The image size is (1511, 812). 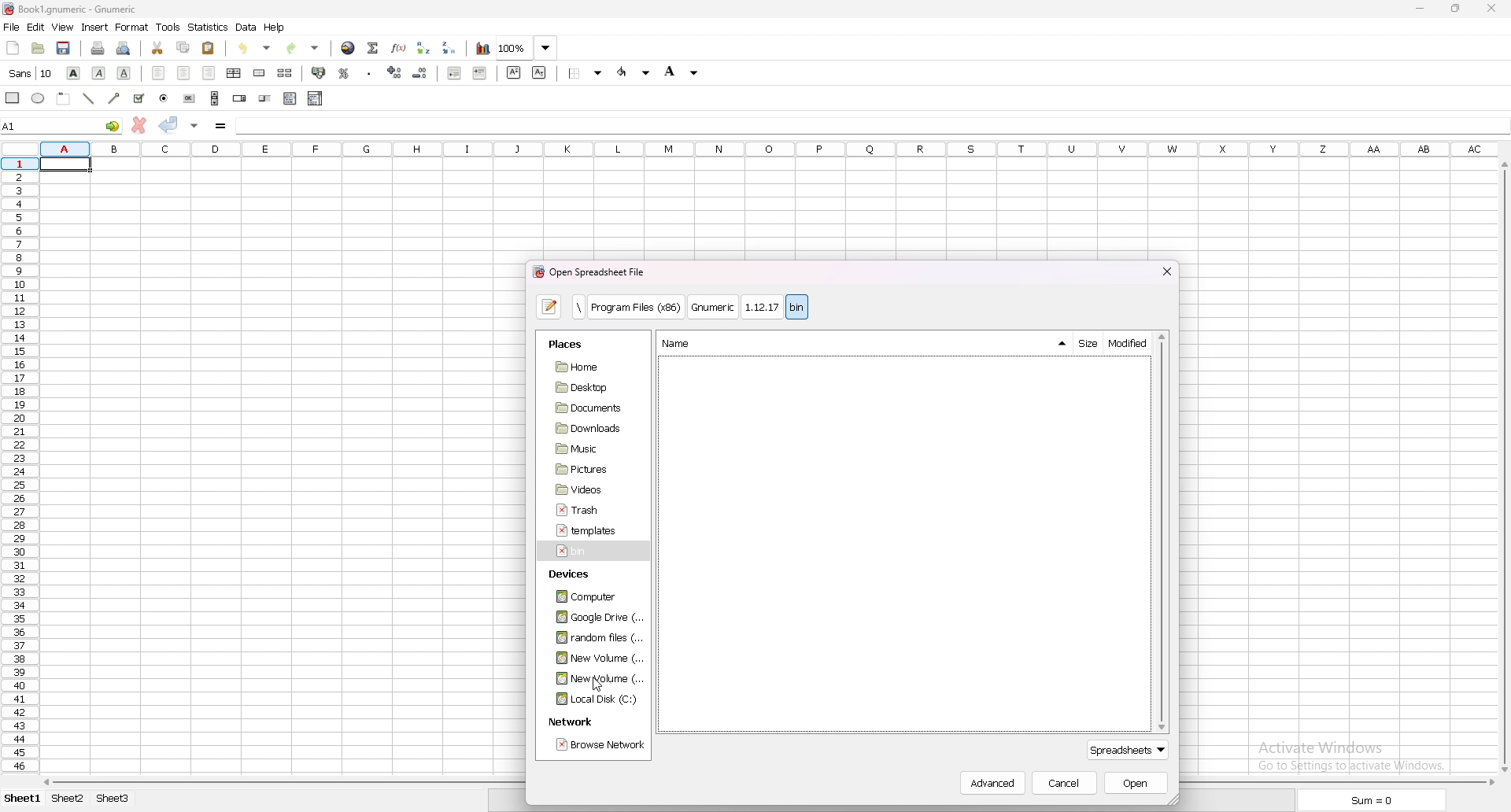 What do you see at coordinates (598, 688) in the screenshot?
I see `cursor` at bounding box center [598, 688].